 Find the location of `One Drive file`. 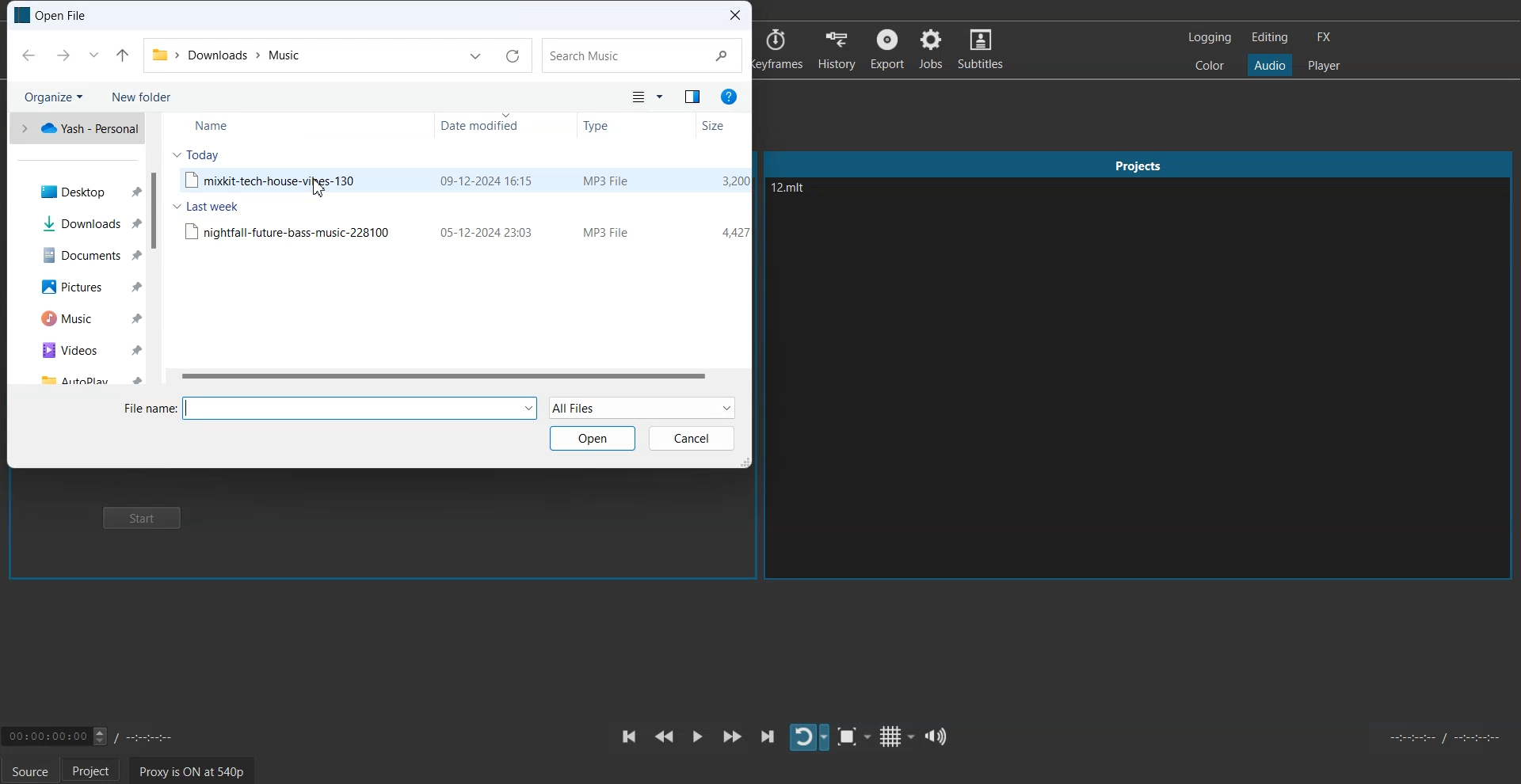

One Drive file is located at coordinates (75, 127).